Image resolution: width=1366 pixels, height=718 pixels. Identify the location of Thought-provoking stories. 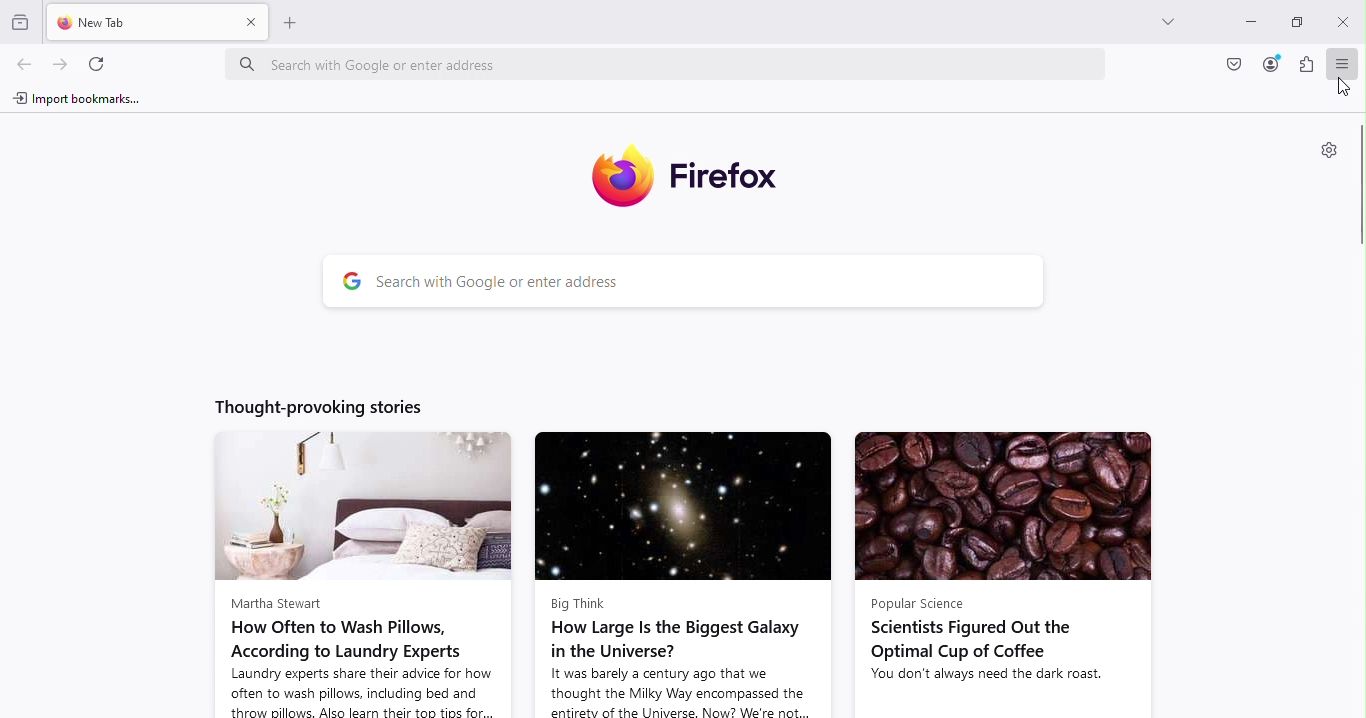
(336, 403).